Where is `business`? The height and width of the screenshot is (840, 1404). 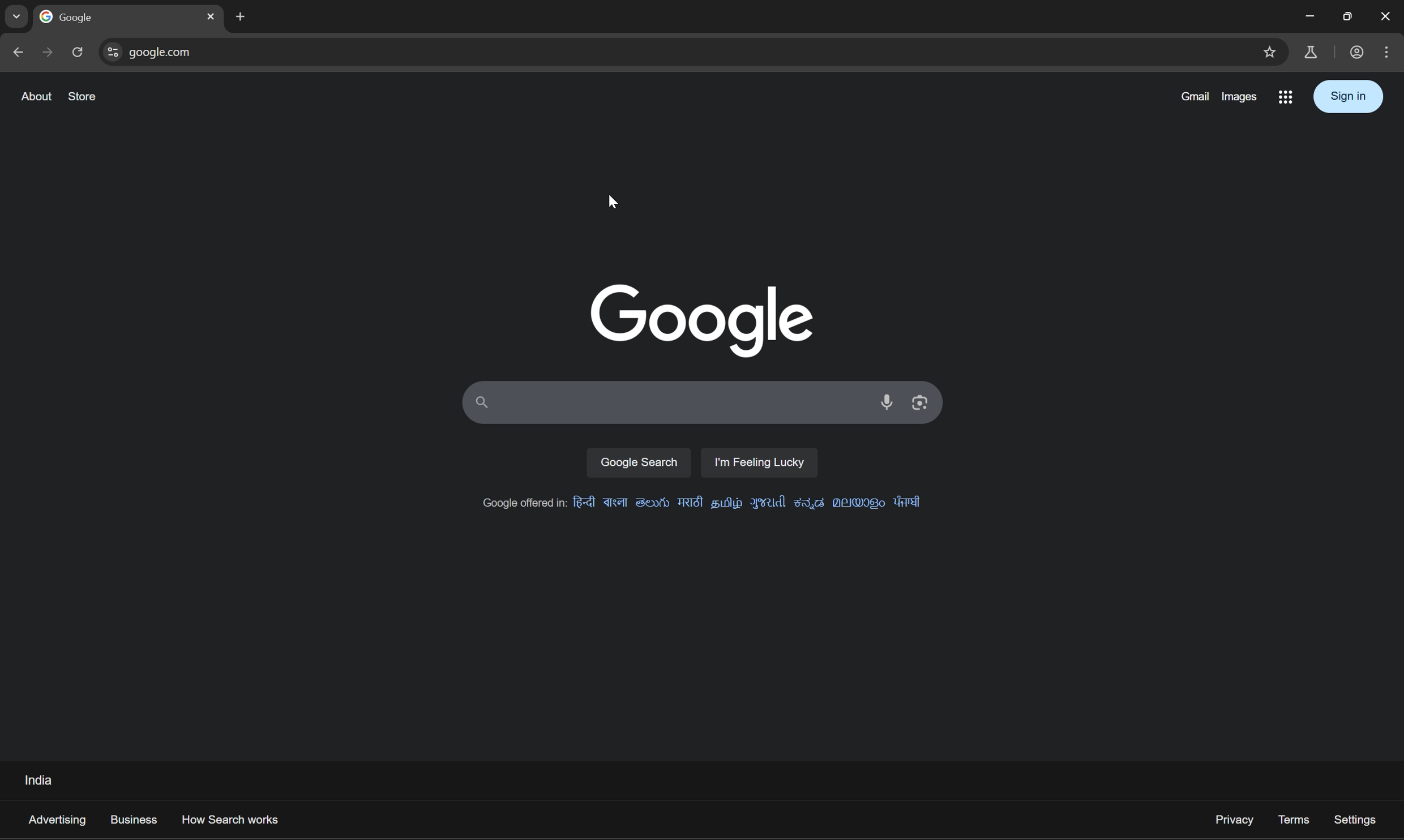 business is located at coordinates (134, 818).